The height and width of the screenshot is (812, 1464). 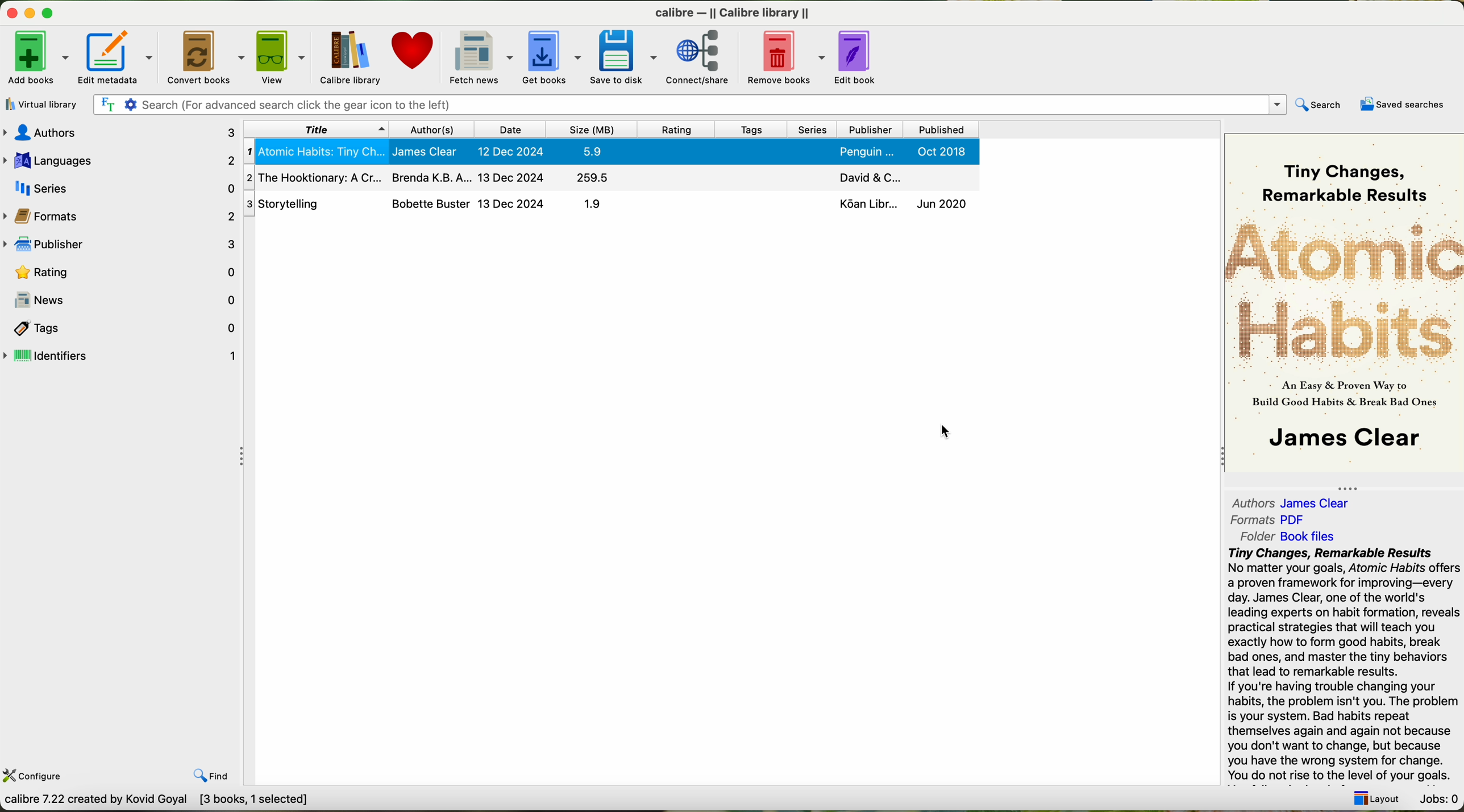 I want to click on formats, so click(x=122, y=216).